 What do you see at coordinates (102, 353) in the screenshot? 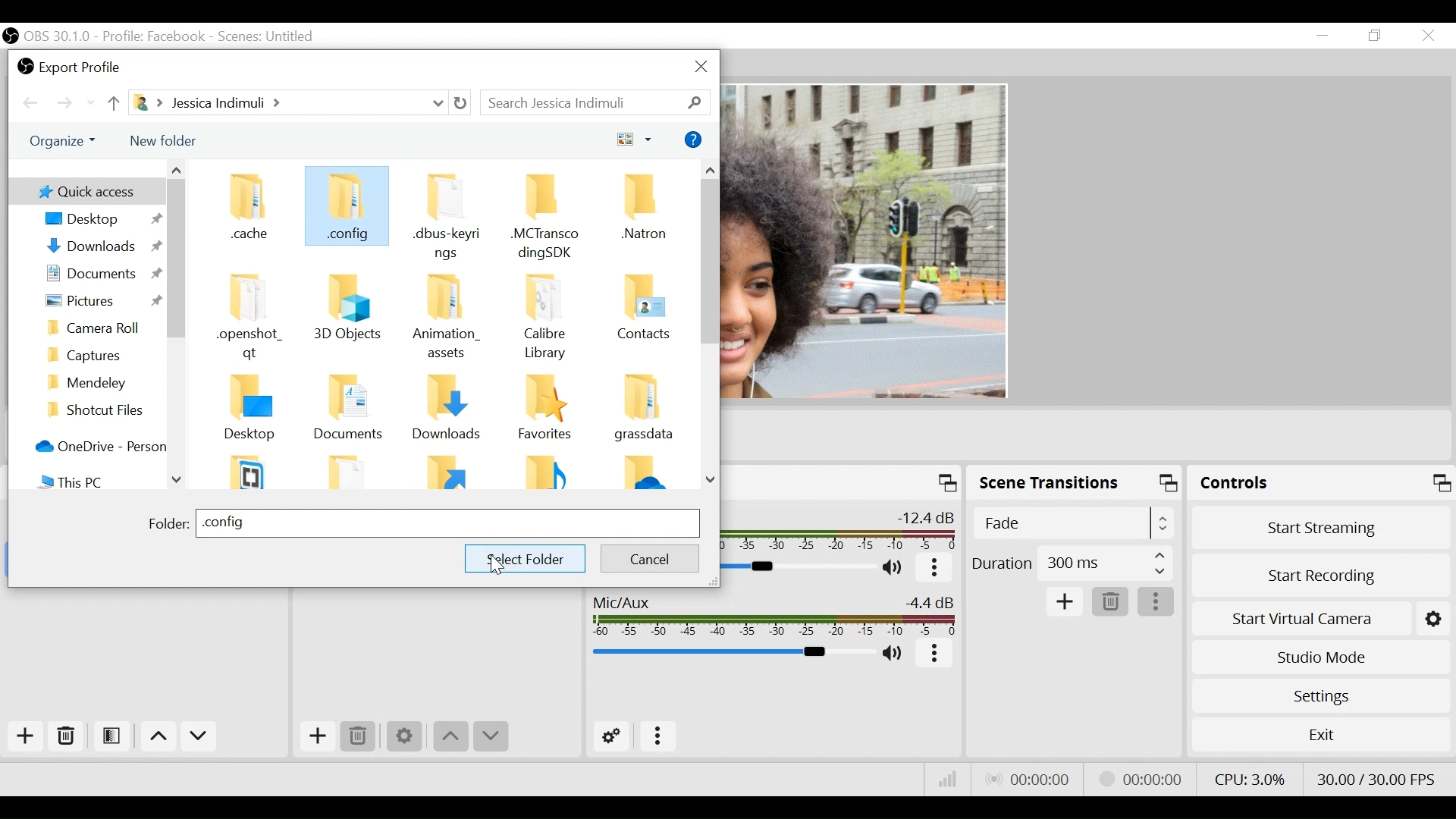
I see `Folder` at bounding box center [102, 353].